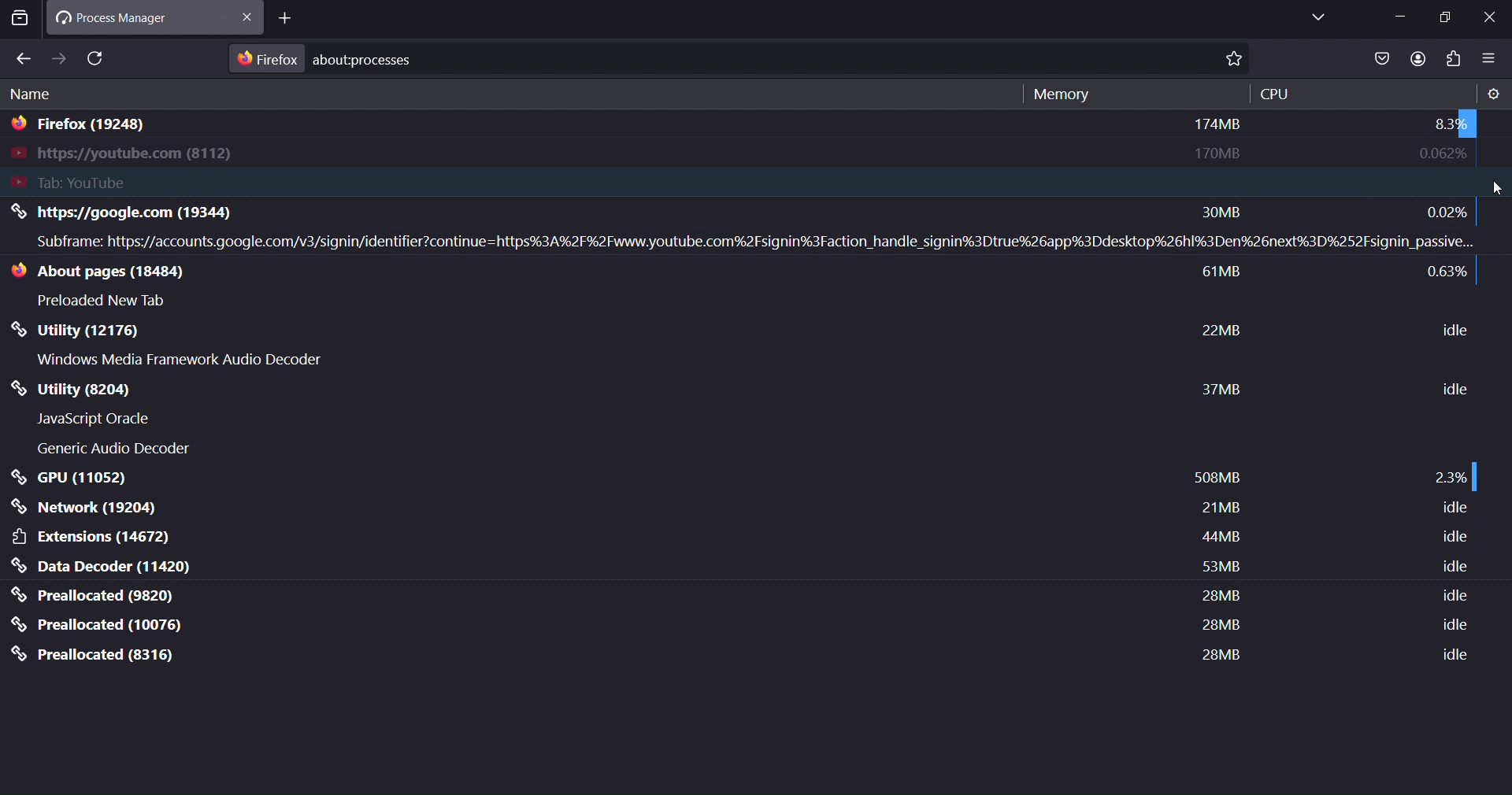 This screenshot has width=1512, height=795. I want to click on JavaScript Oracle, so click(97, 419).